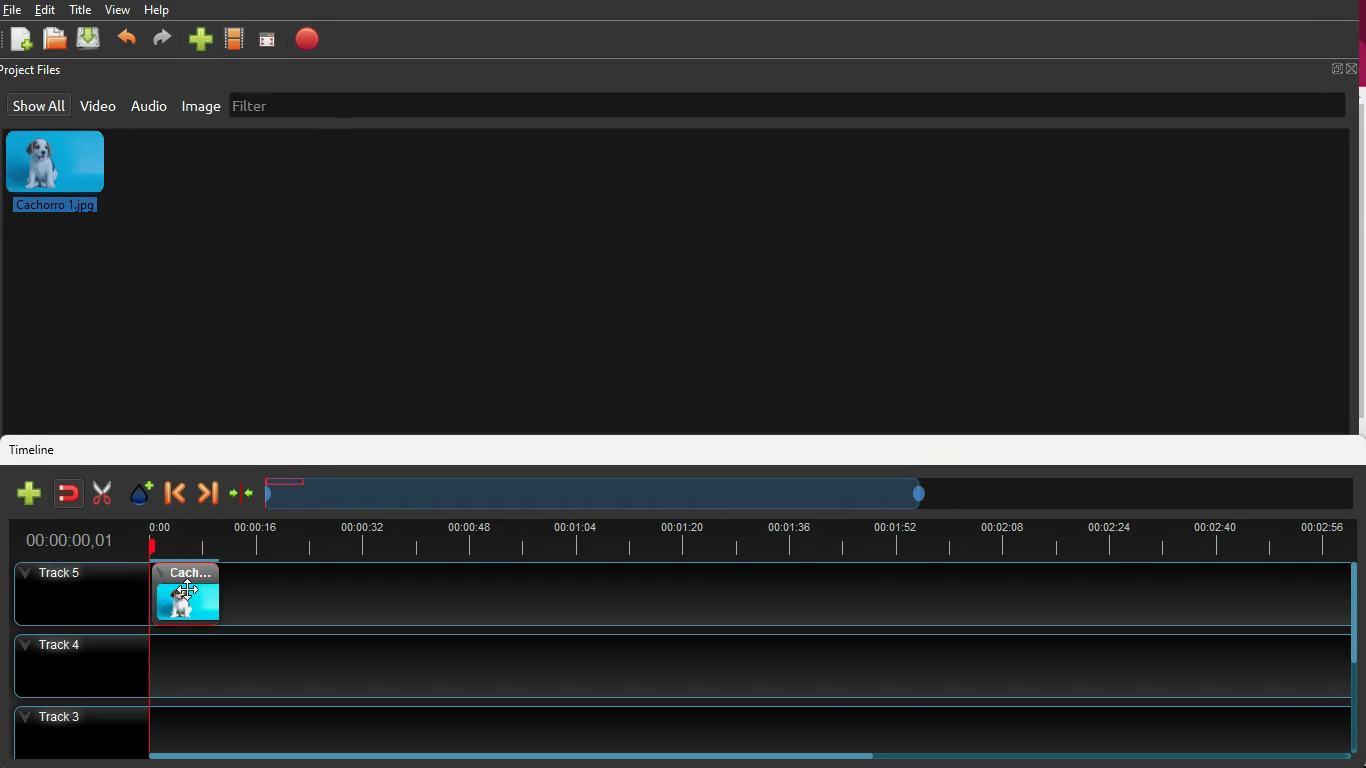  Describe the element at coordinates (120, 10) in the screenshot. I see `view` at that location.